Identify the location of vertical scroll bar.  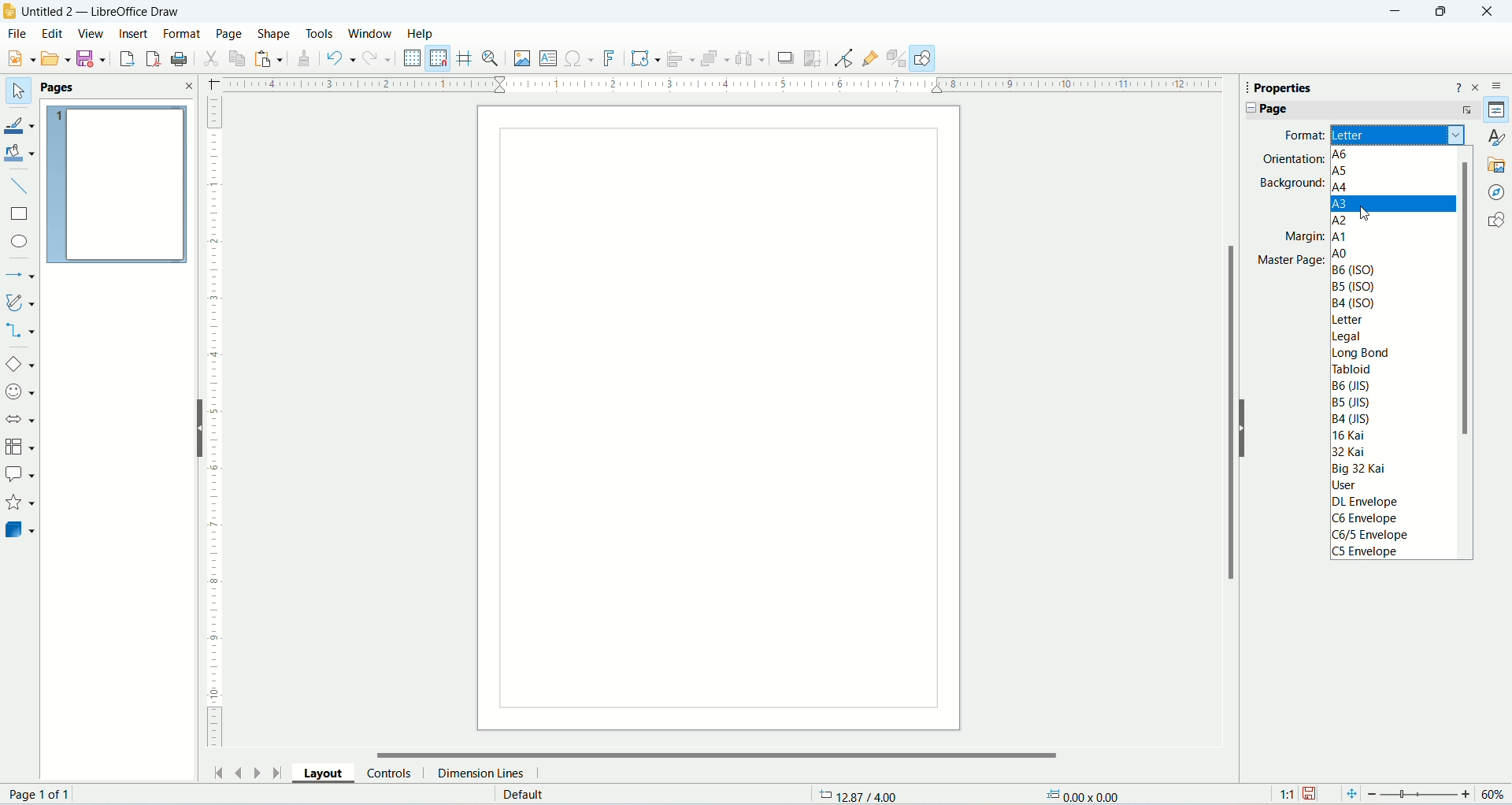
(1227, 454).